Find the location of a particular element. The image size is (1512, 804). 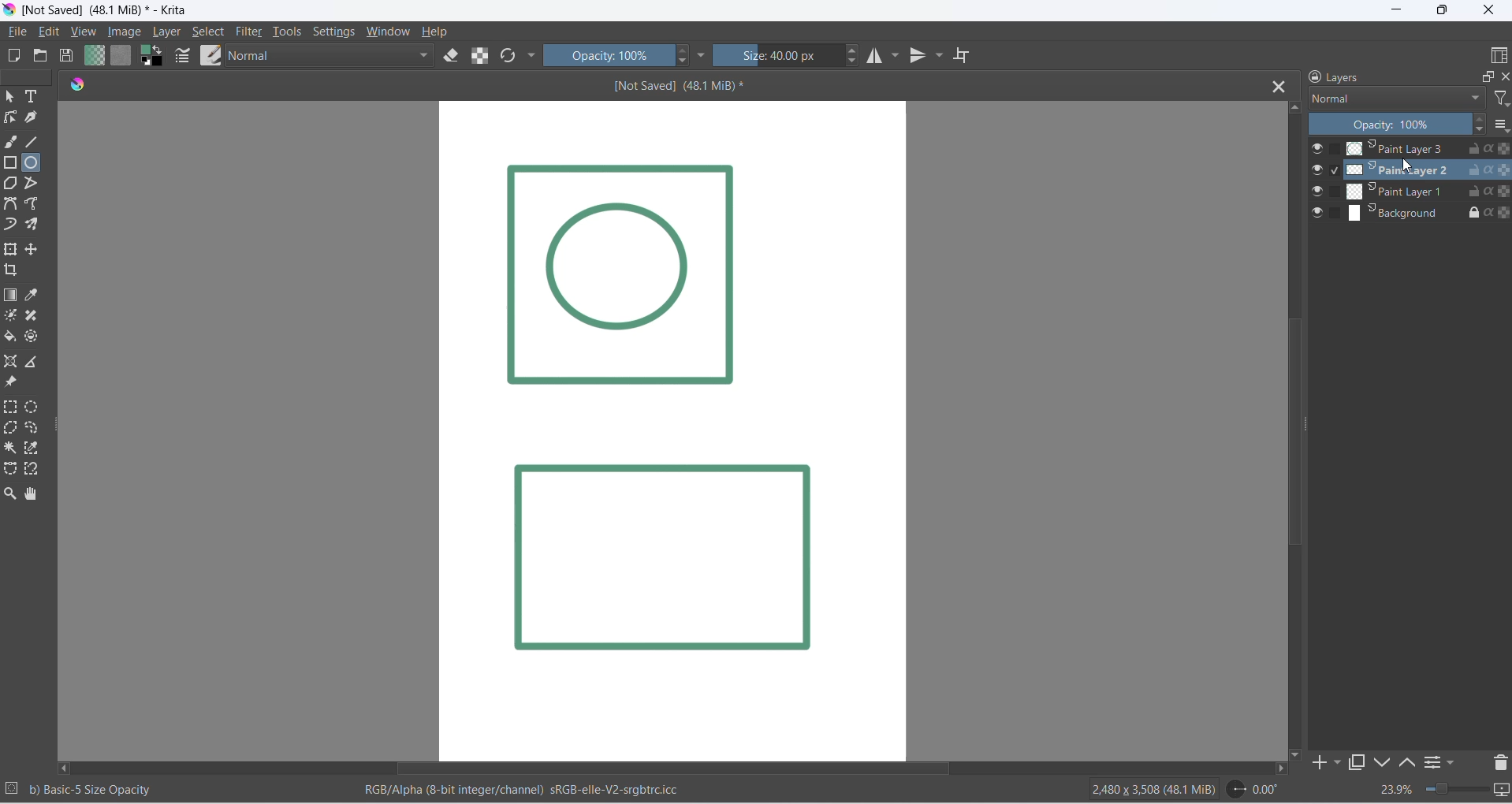

fill patterns is located at coordinates (121, 57).